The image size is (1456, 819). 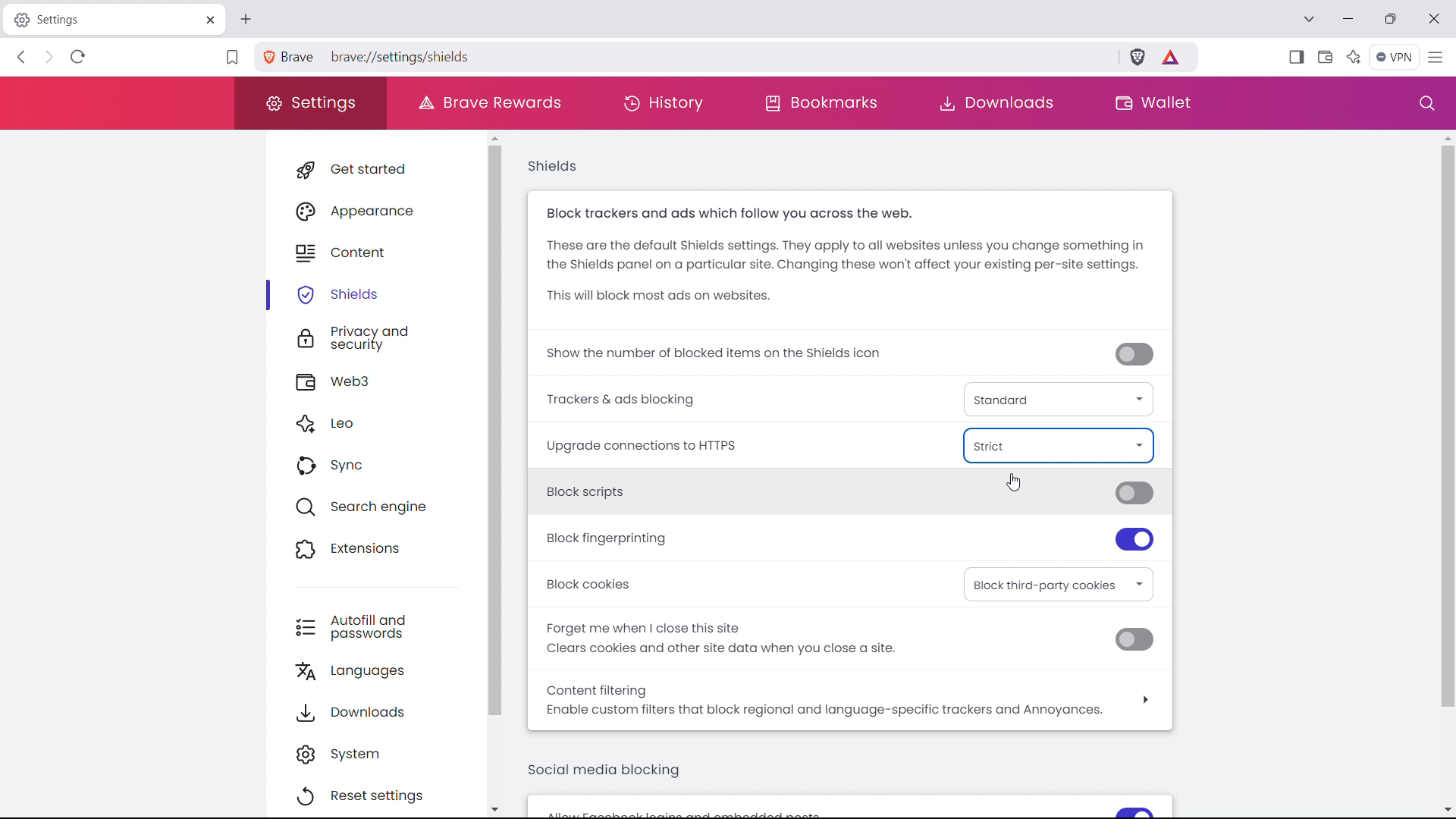 What do you see at coordinates (1354, 57) in the screenshot?
I see `leo AI` at bounding box center [1354, 57].